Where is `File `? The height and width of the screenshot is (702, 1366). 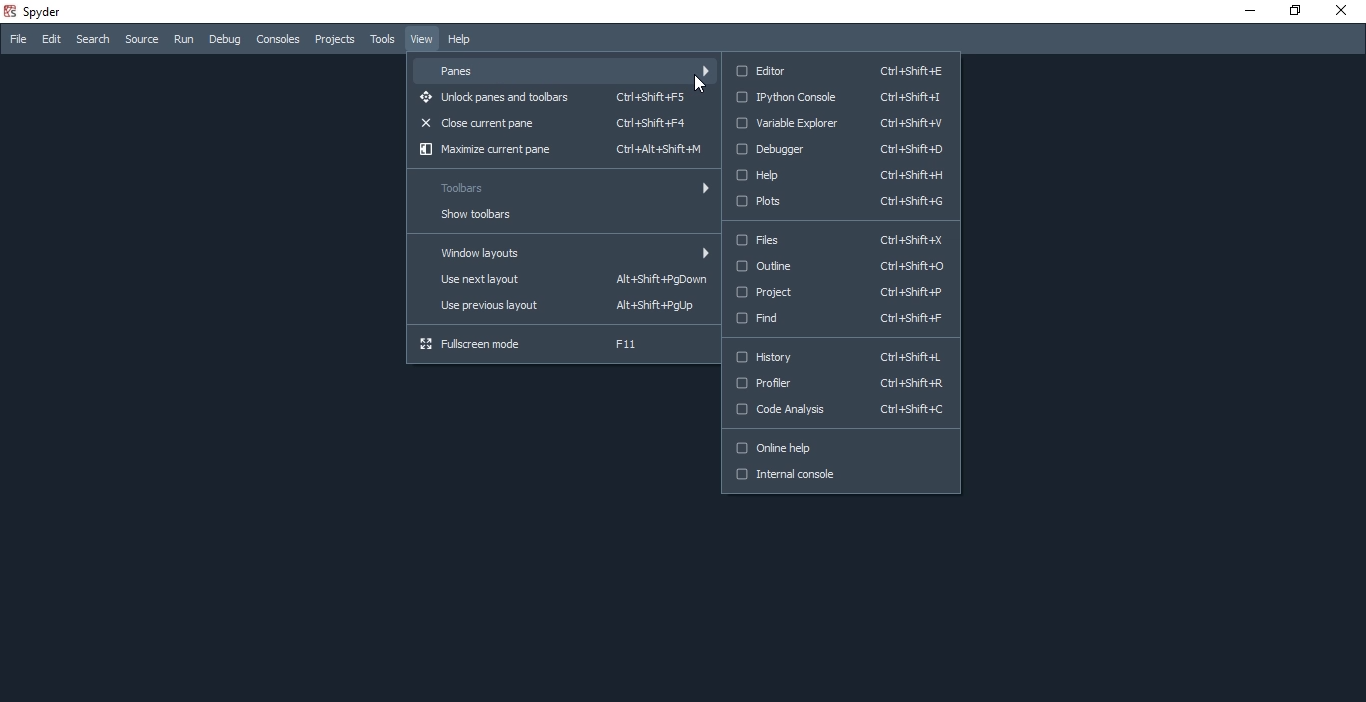
File  is located at coordinates (17, 39).